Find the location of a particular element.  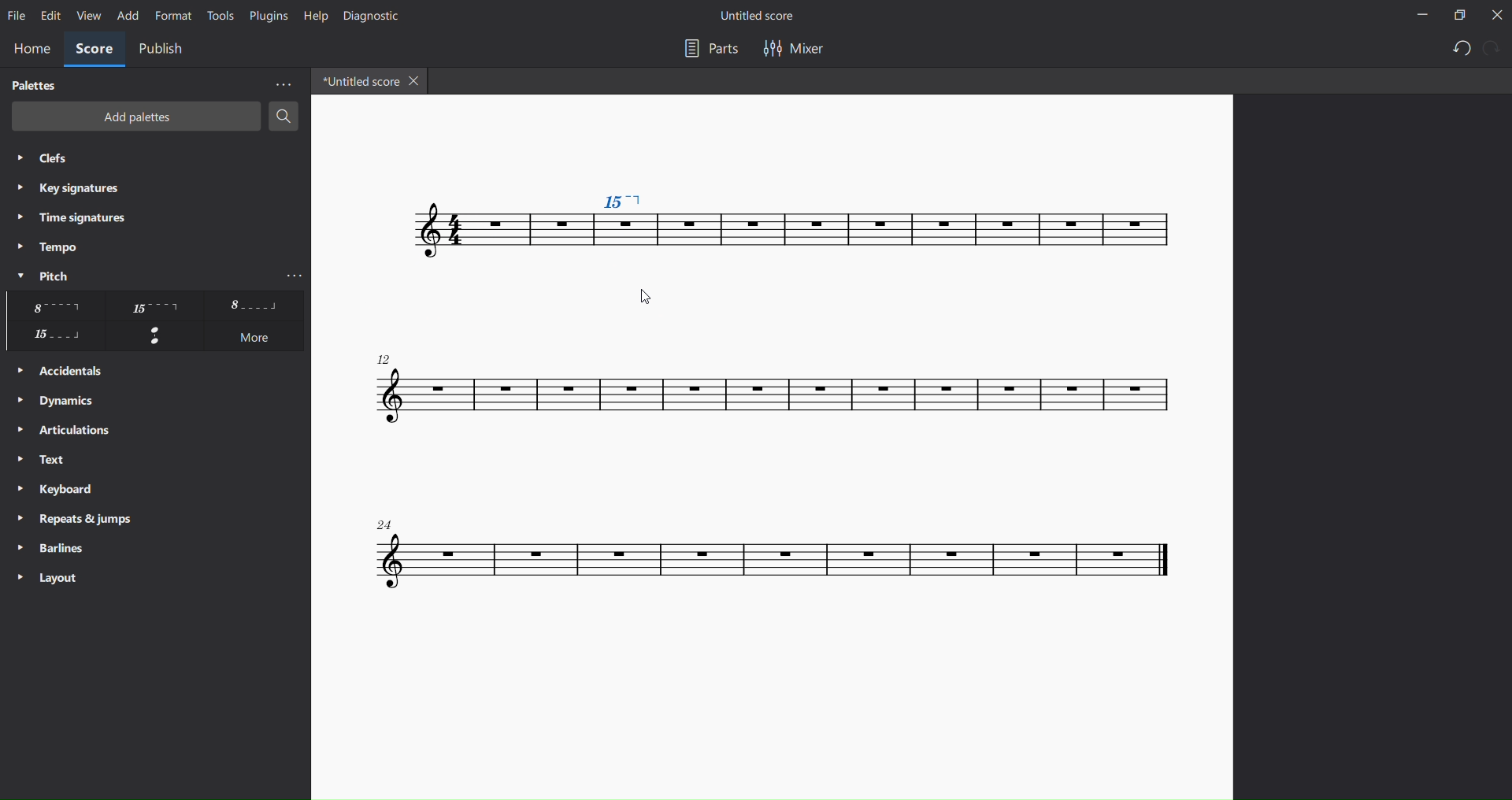

maximize is located at coordinates (1455, 15).